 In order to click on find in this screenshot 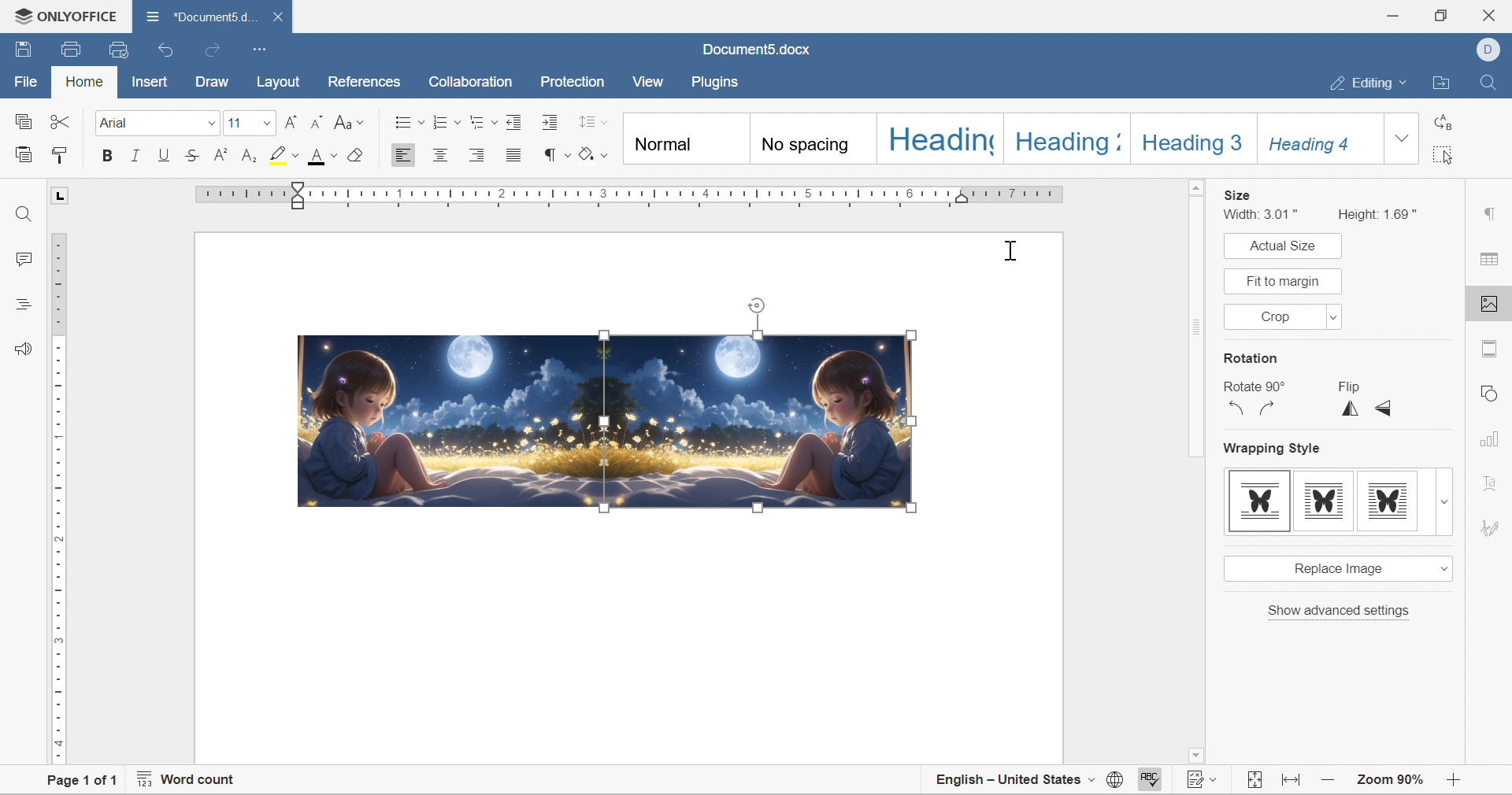, I will do `click(1489, 83)`.